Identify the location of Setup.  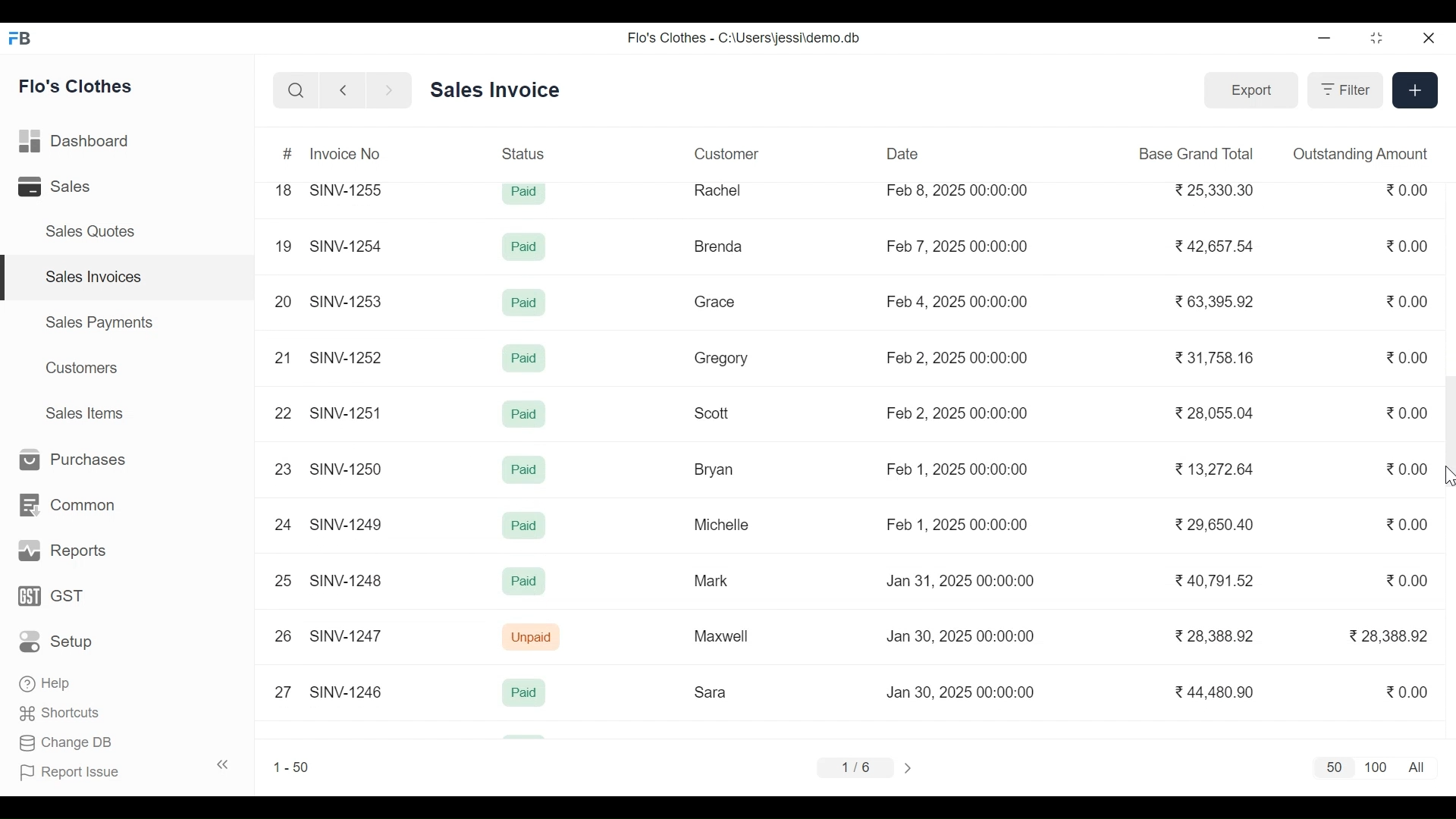
(61, 641).